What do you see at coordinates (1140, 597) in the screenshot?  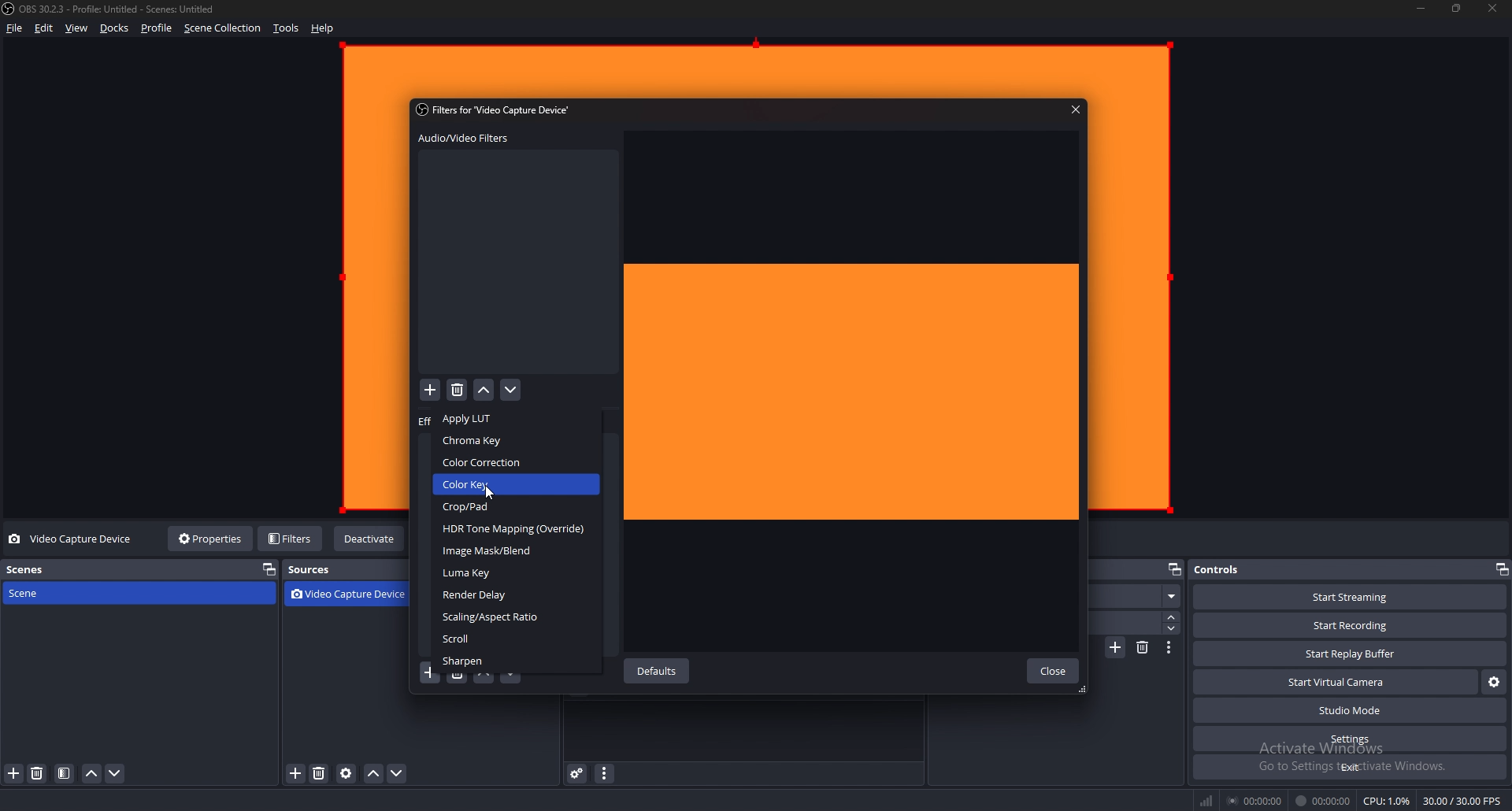 I see `fade` at bounding box center [1140, 597].